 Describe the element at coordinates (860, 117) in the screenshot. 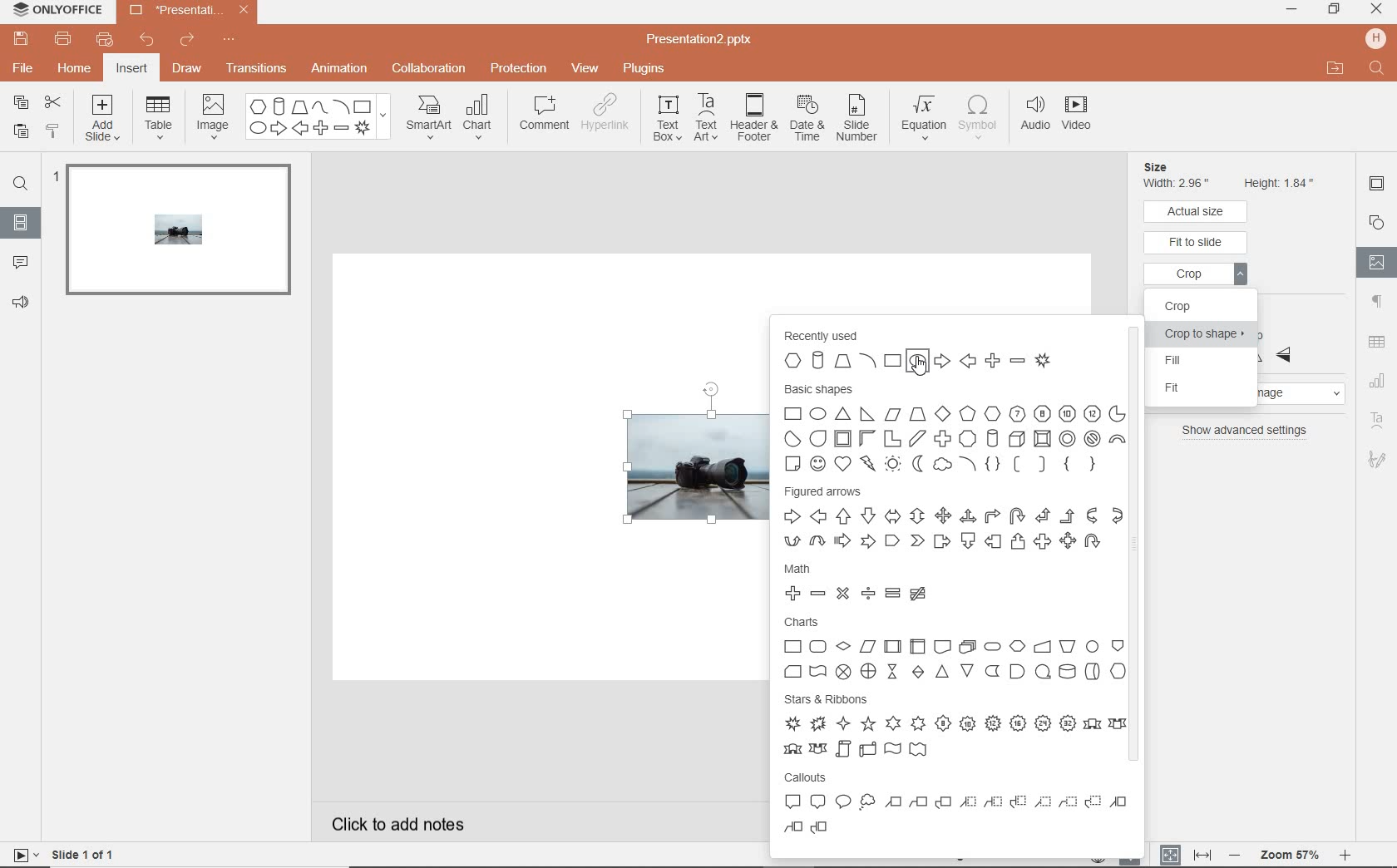

I see `slide number` at that location.